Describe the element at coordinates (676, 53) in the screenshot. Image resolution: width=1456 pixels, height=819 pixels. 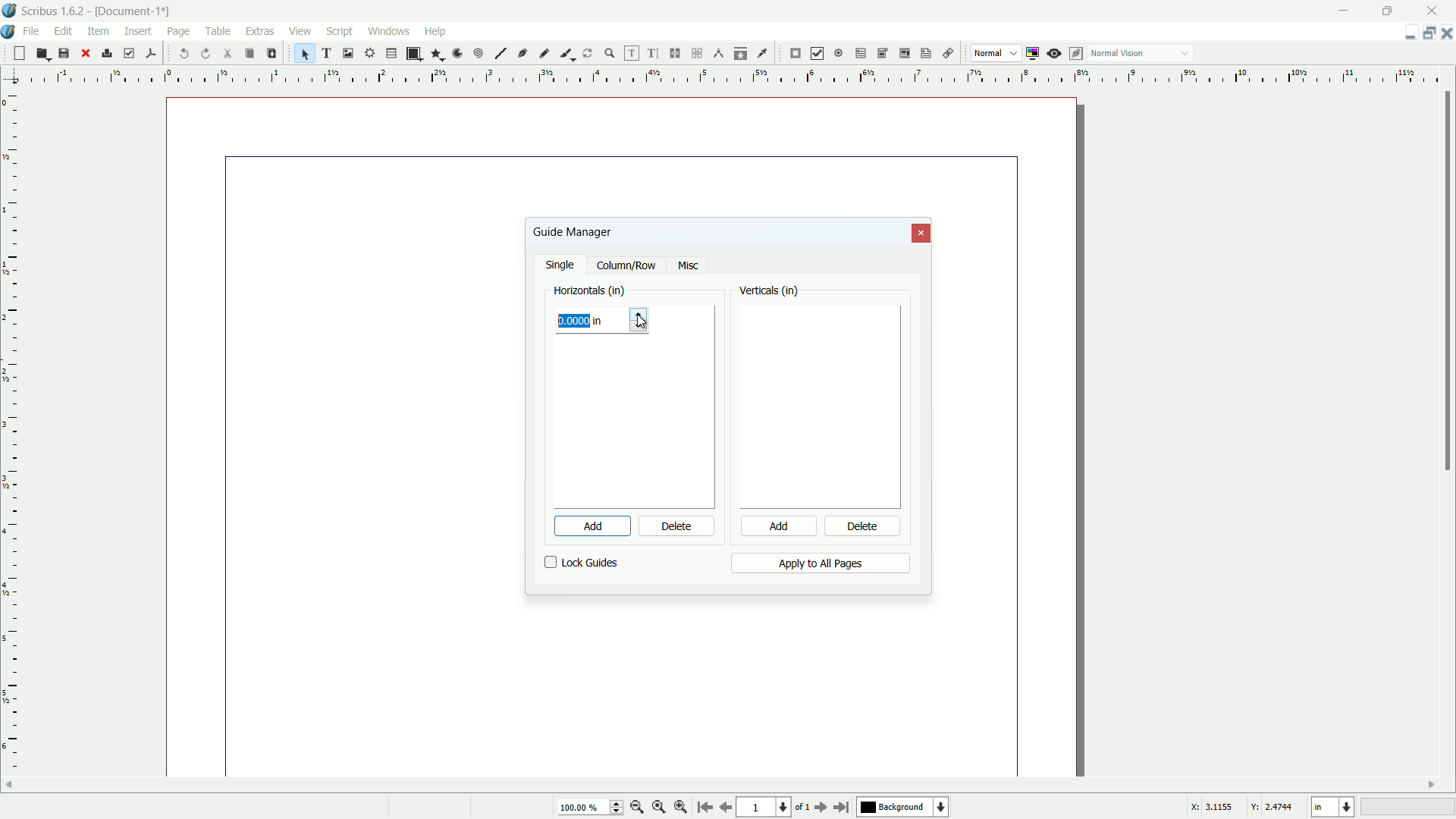
I see `link text frames` at that location.